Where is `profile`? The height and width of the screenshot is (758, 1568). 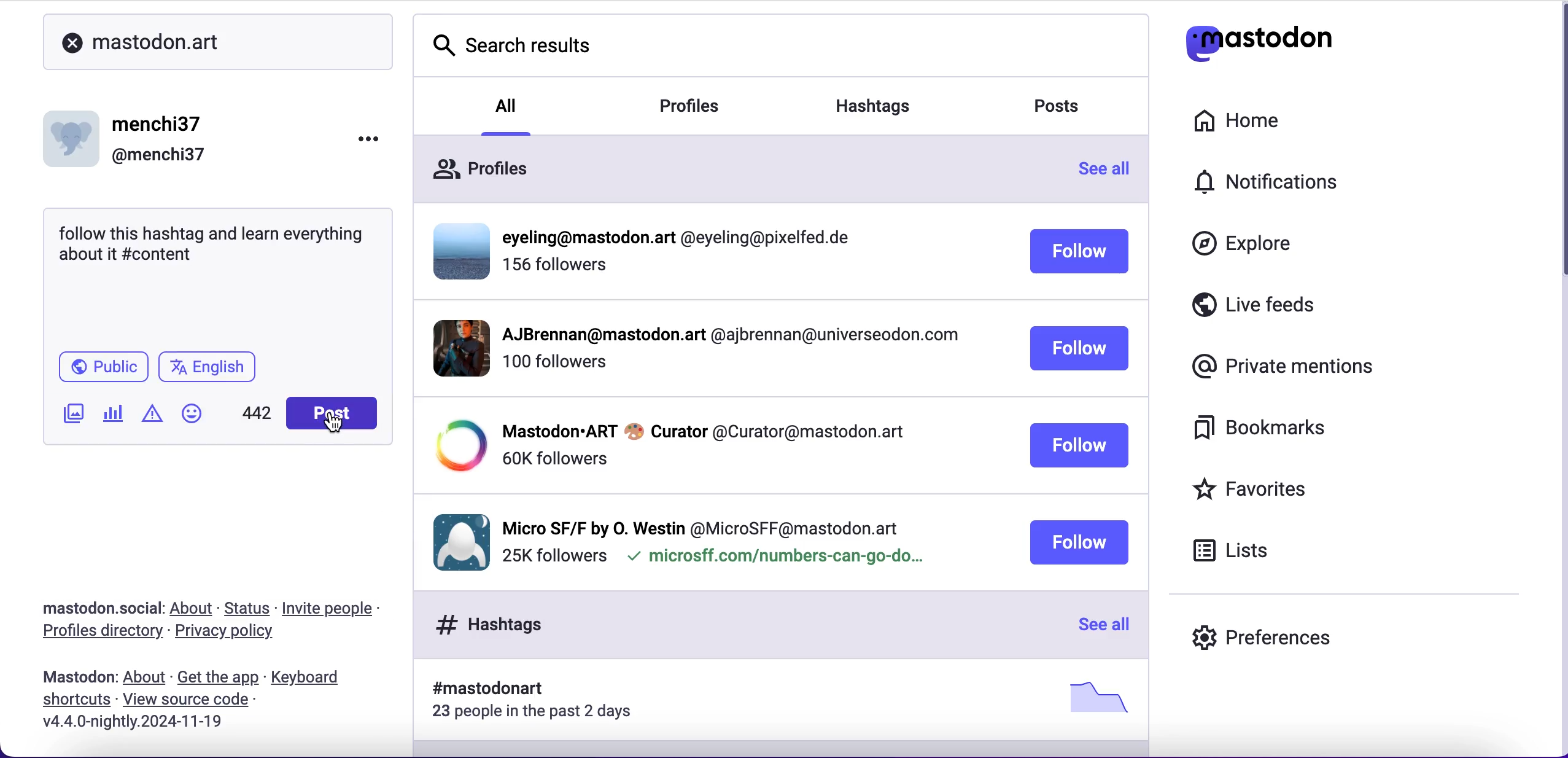
profile is located at coordinates (702, 525).